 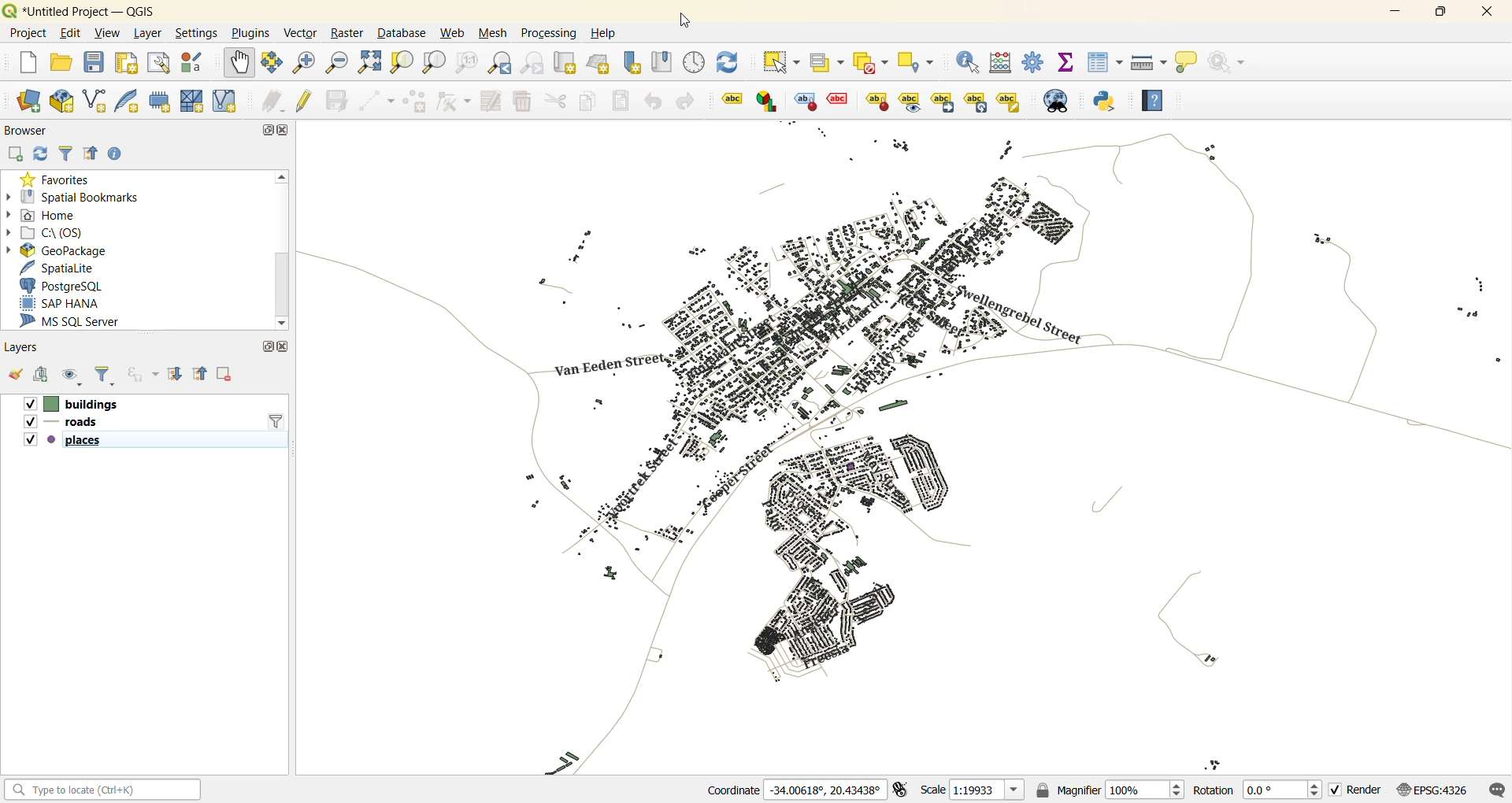 I want to click on add polygon, so click(x=412, y=103).